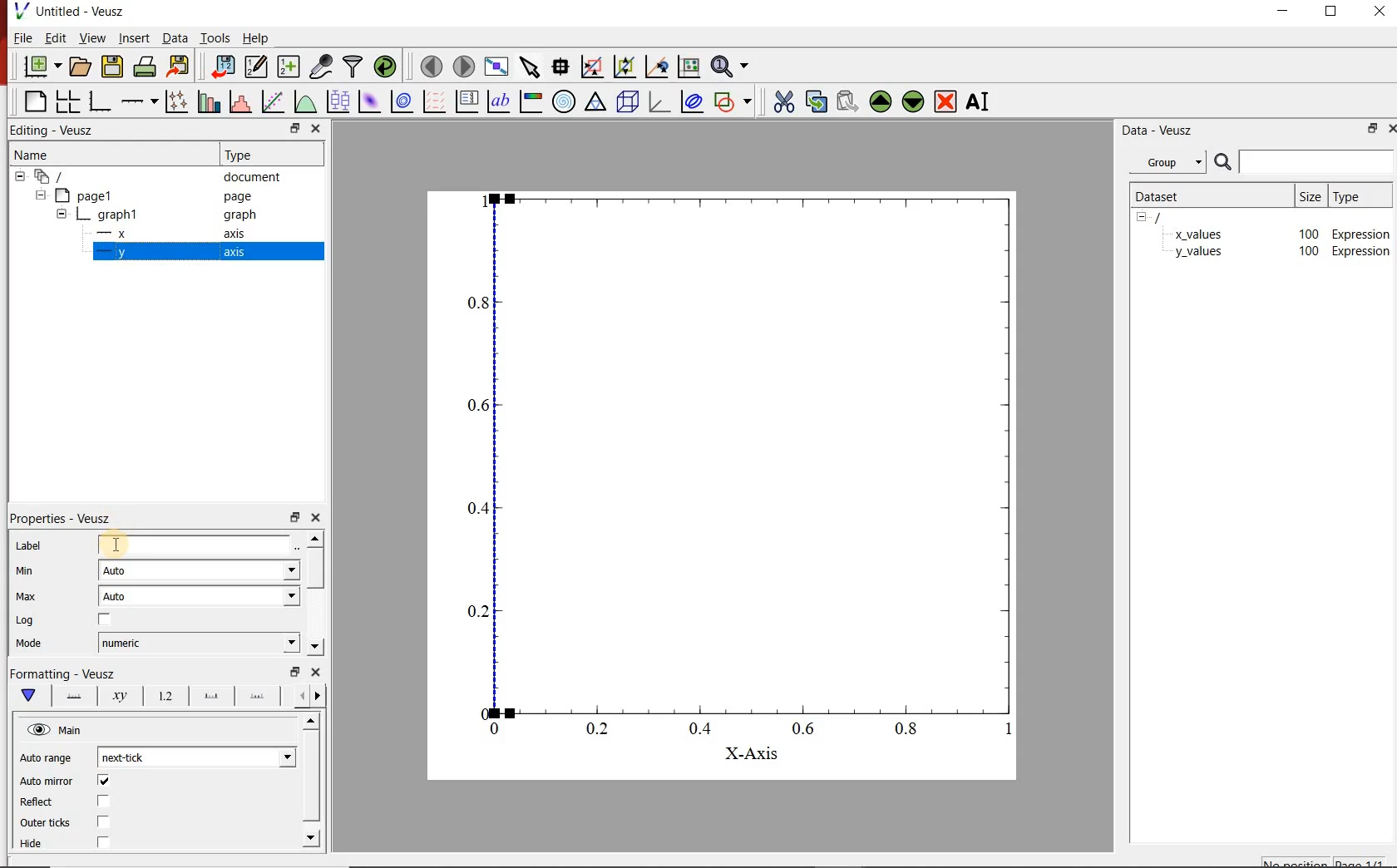  I want to click on help, so click(260, 37).